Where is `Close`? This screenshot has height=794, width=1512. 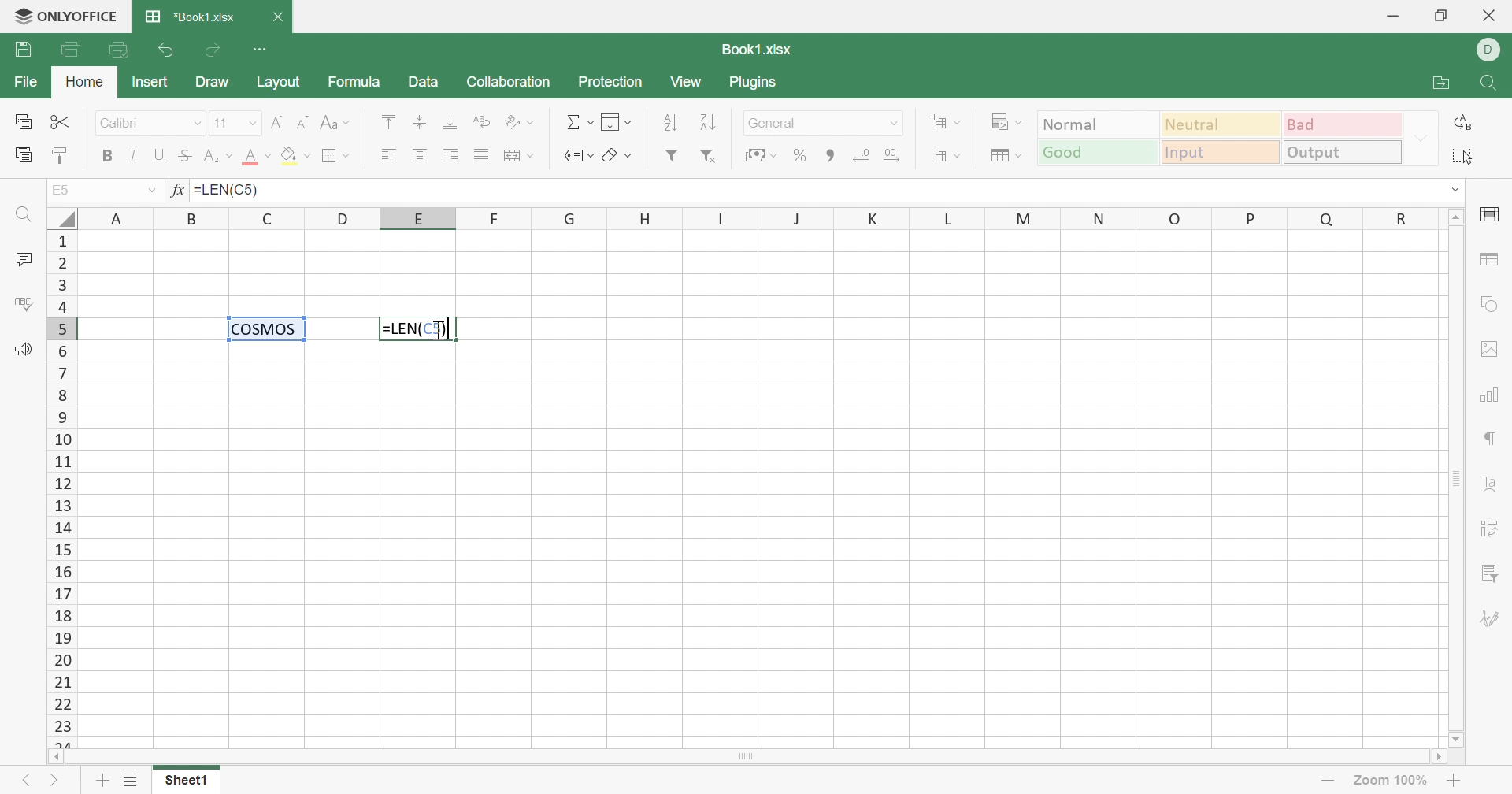
Close is located at coordinates (276, 16).